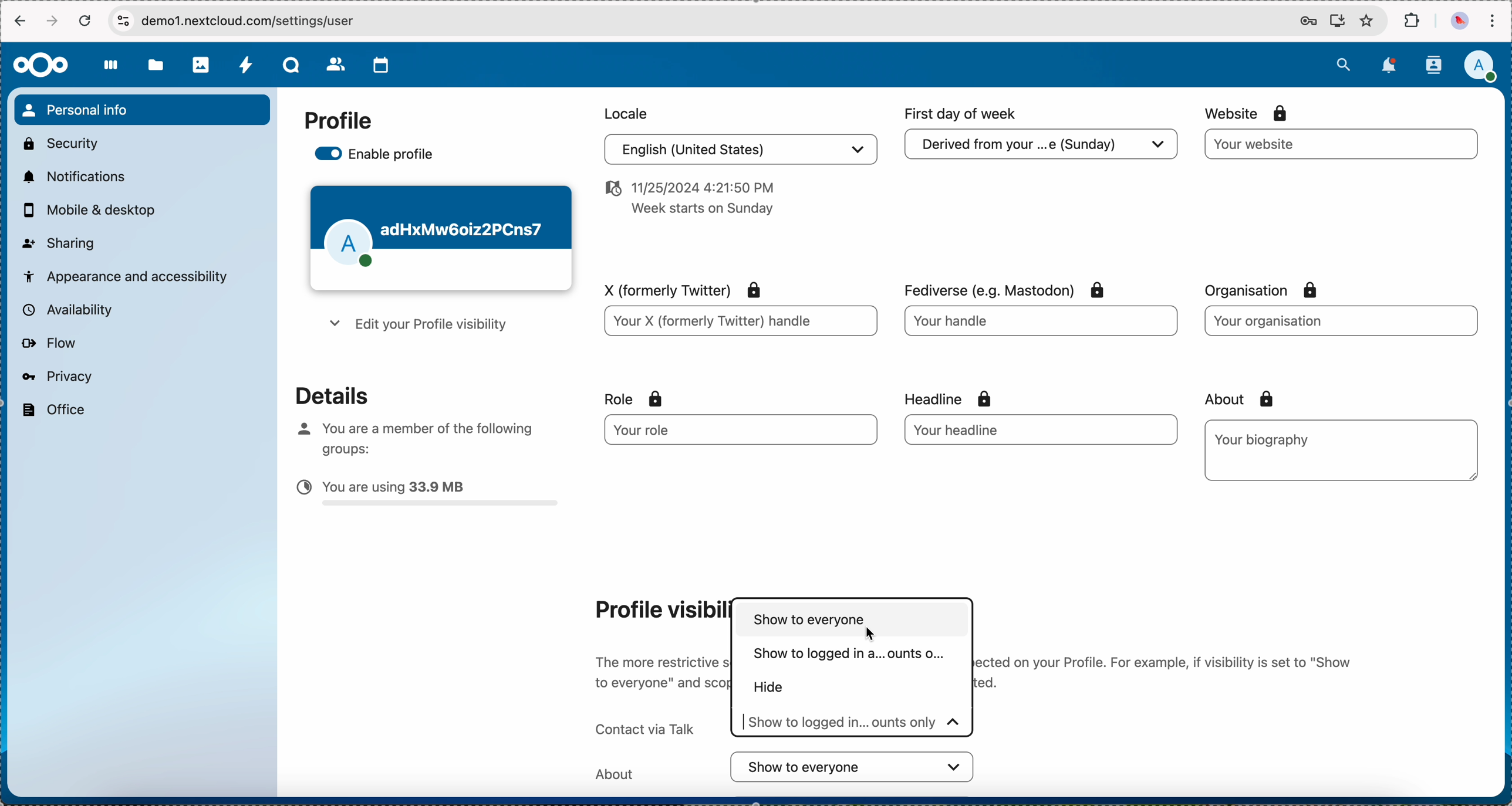 This screenshot has width=1512, height=806. What do you see at coordinates (56, 376) in the screenshot?
I see `privacy` at bounding box center [56, 376].